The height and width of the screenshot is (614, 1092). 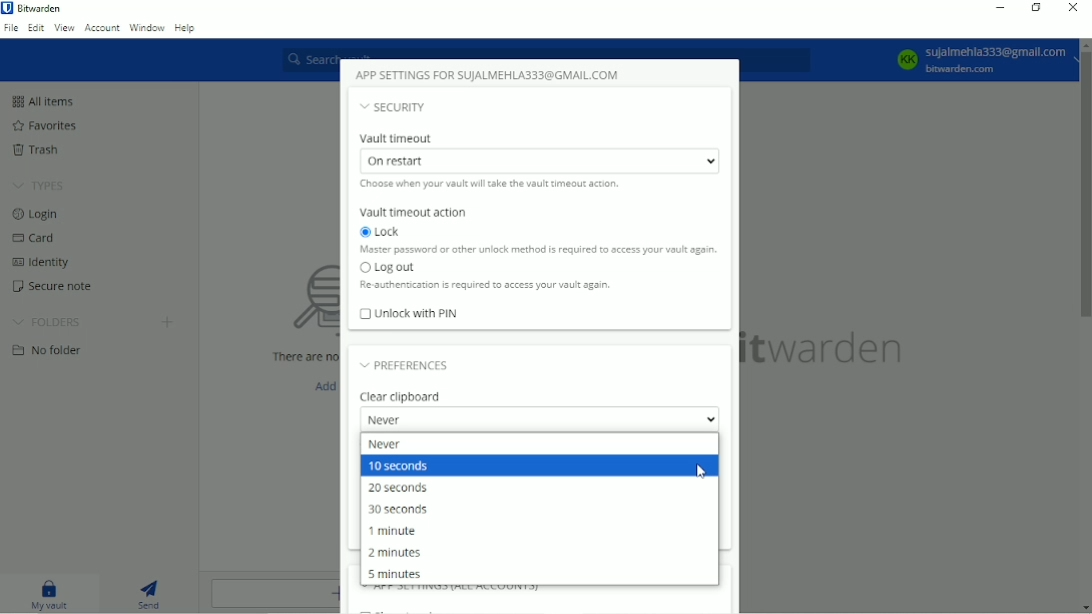 What do you see at coordinates (399, 487) in the screenshot?
I see `20 seconds` at bounding box center [399, 487].